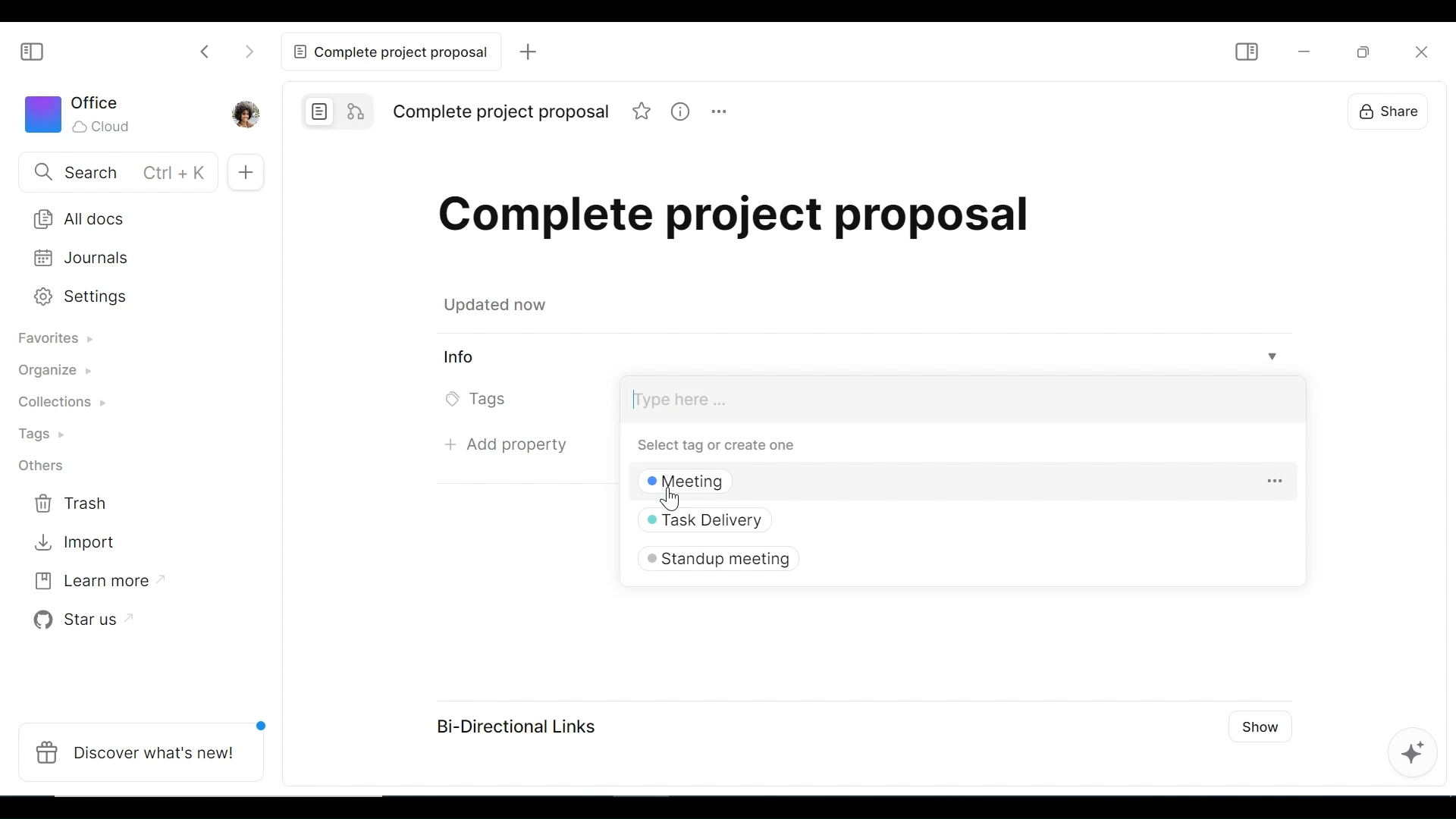  What do you see at coordinates (128, 297) in the screenshot?
I see `Settings` at bounding box center [128, 297].